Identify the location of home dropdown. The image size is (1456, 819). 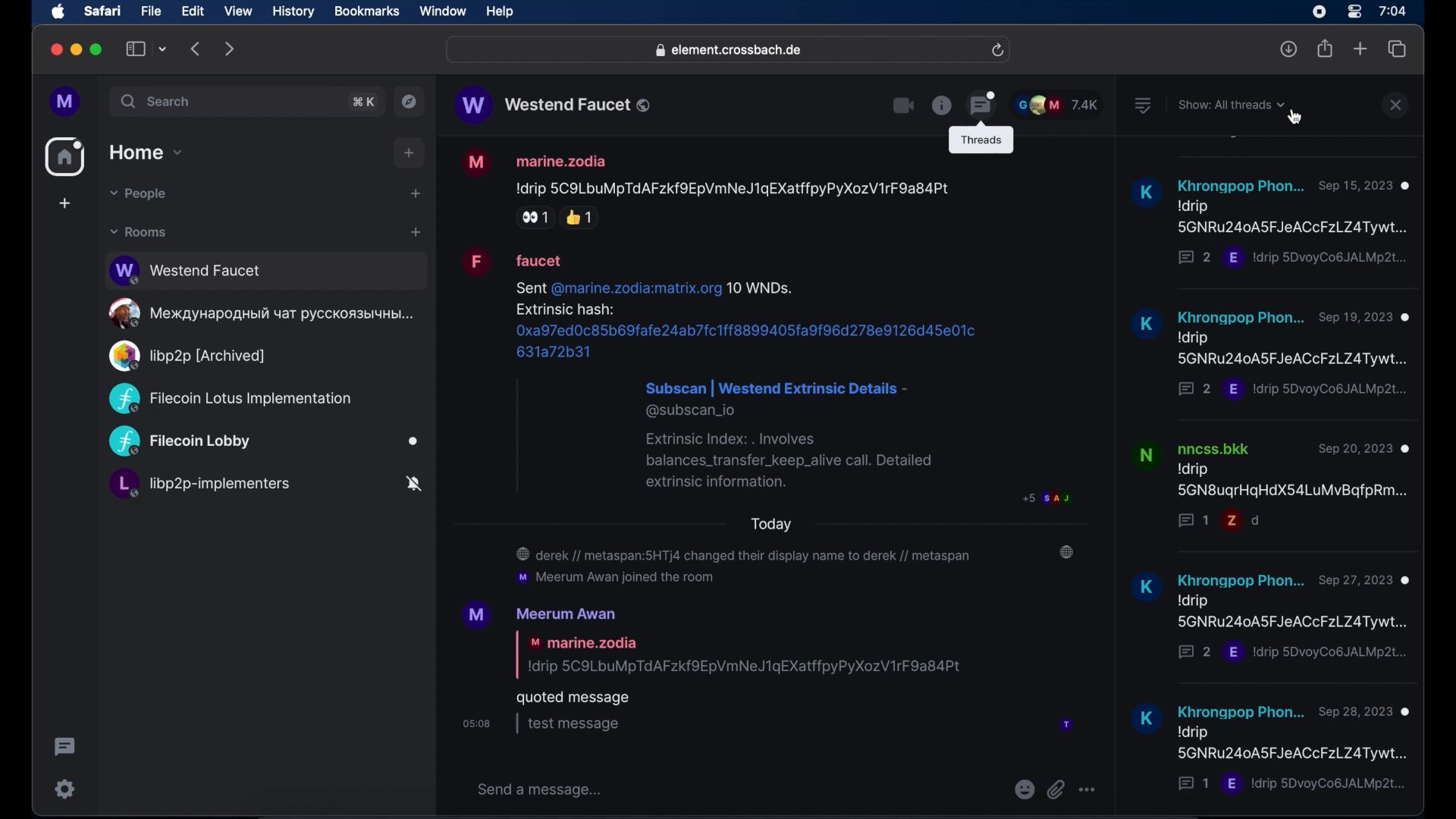
(146, 152).